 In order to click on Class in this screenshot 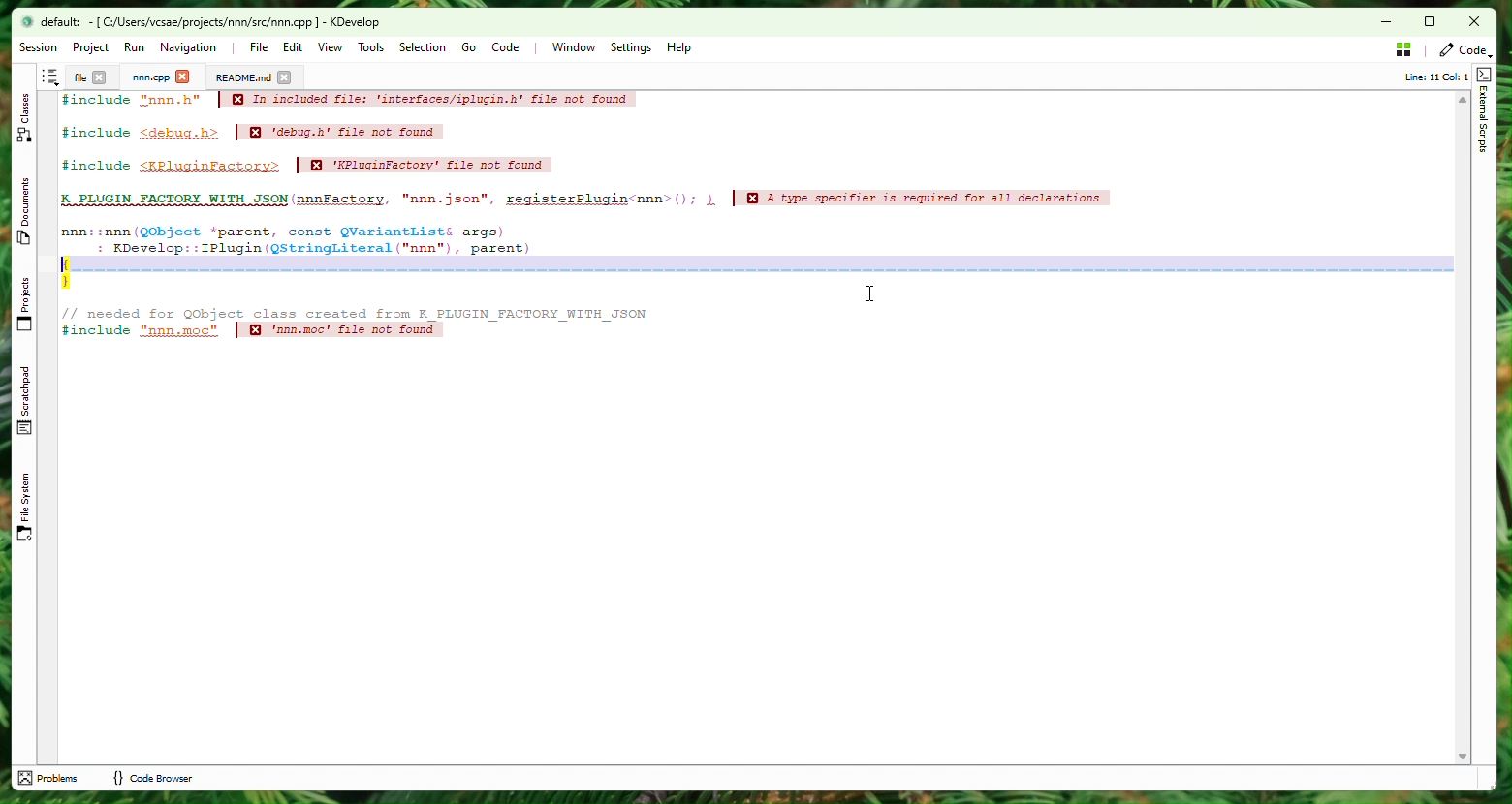, I will do `click(26, 120)`.